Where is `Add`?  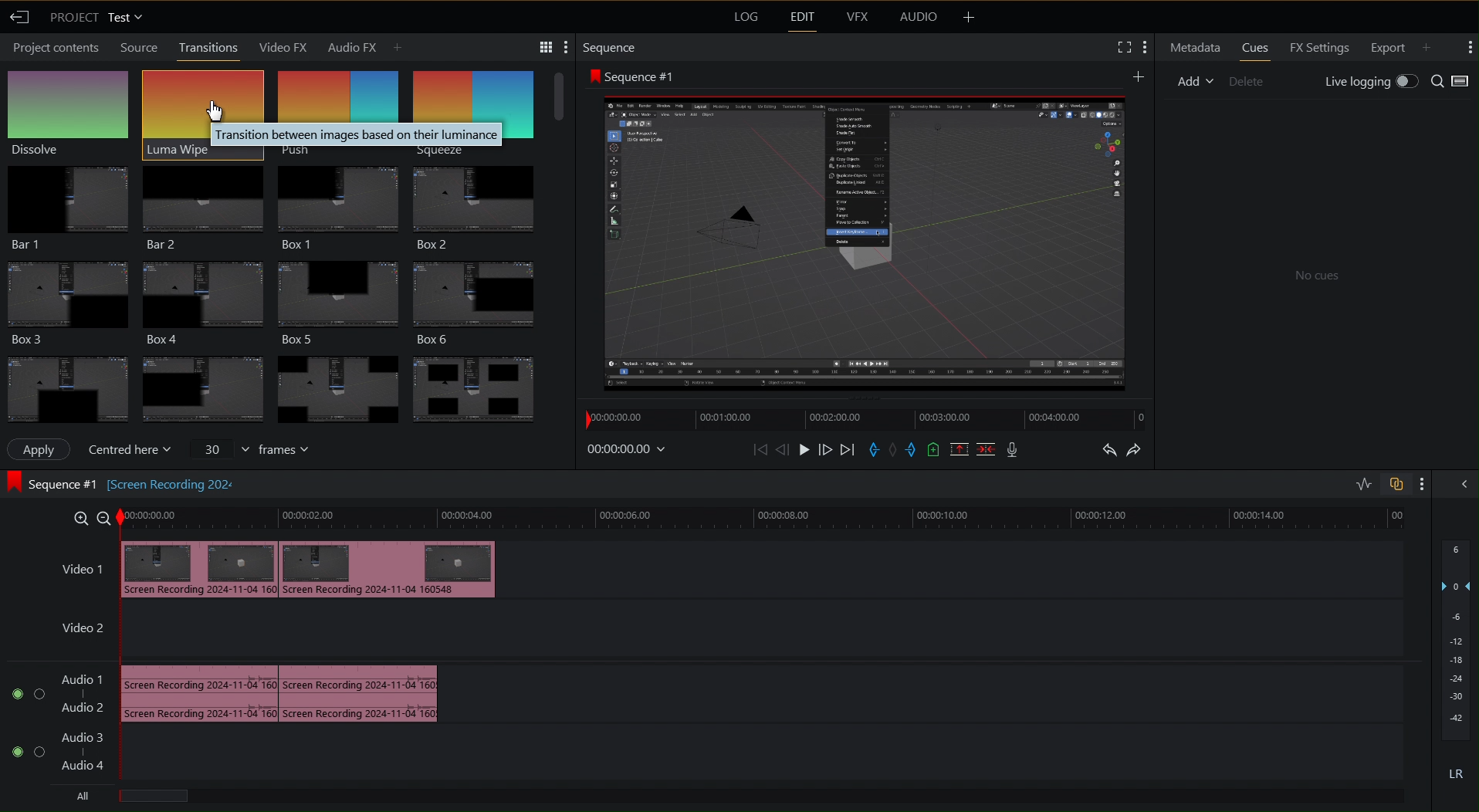
Add is located at coordinates (1195, 81).